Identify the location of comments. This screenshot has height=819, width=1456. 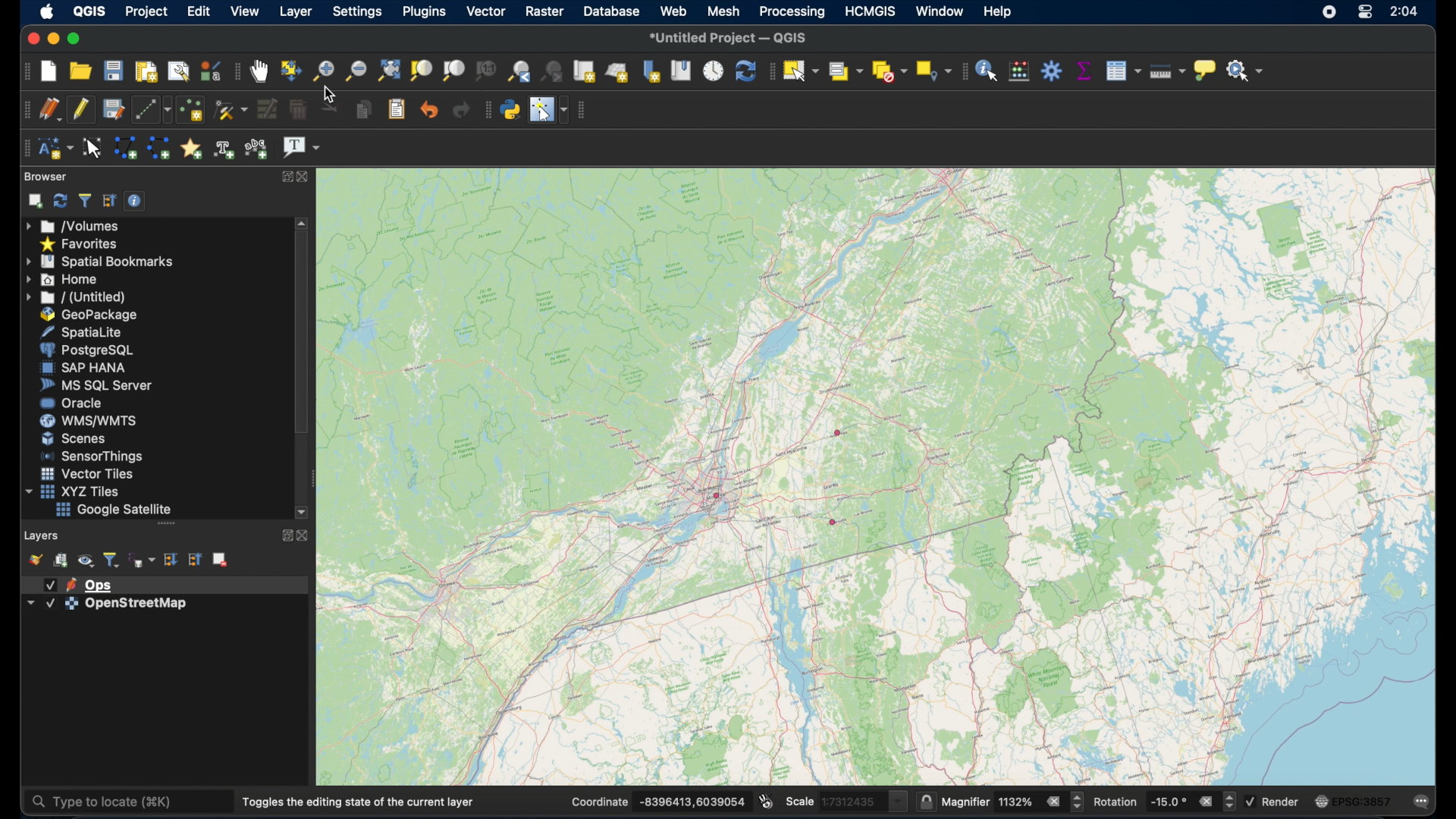
(1423, 803).